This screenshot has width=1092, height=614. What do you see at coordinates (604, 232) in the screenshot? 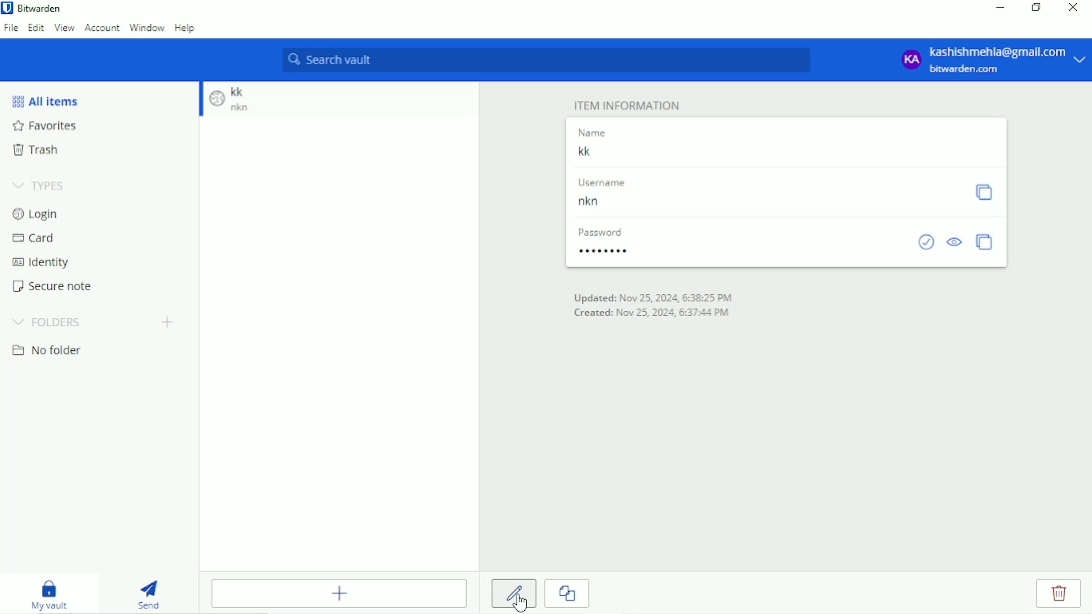
I see `password label` at bounding box center [604, 232].